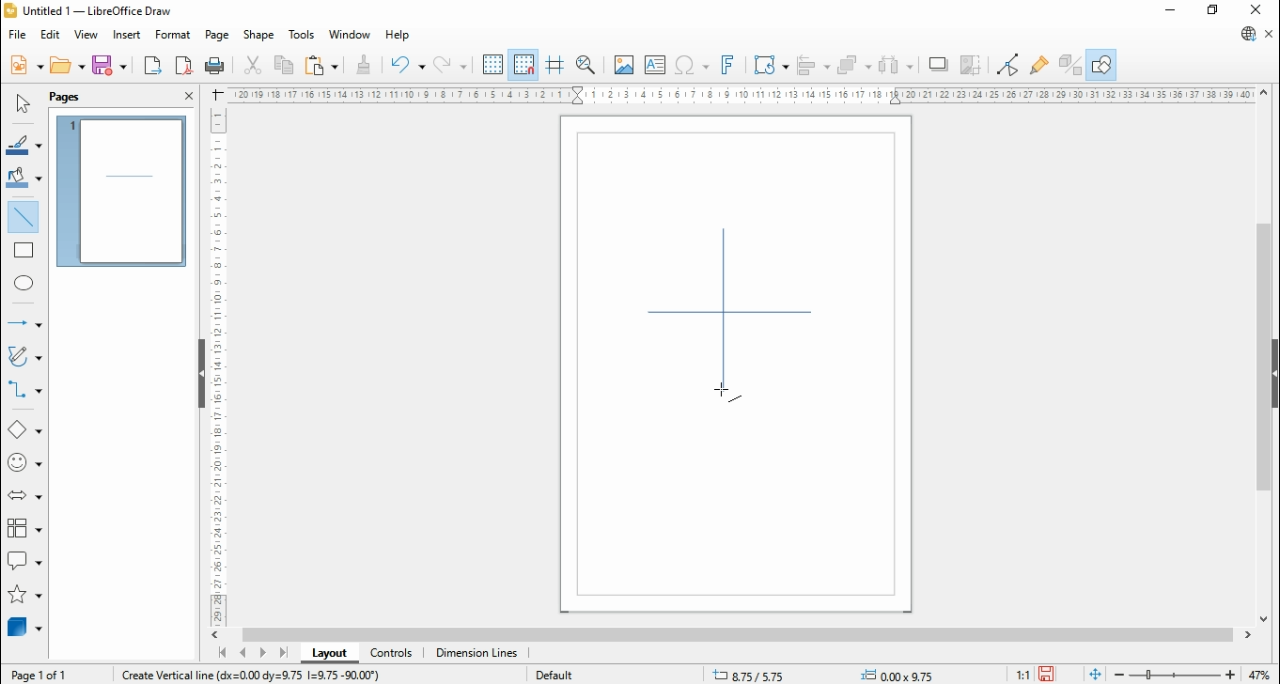  I want to click on show glue point functions, so click(1038, 64).